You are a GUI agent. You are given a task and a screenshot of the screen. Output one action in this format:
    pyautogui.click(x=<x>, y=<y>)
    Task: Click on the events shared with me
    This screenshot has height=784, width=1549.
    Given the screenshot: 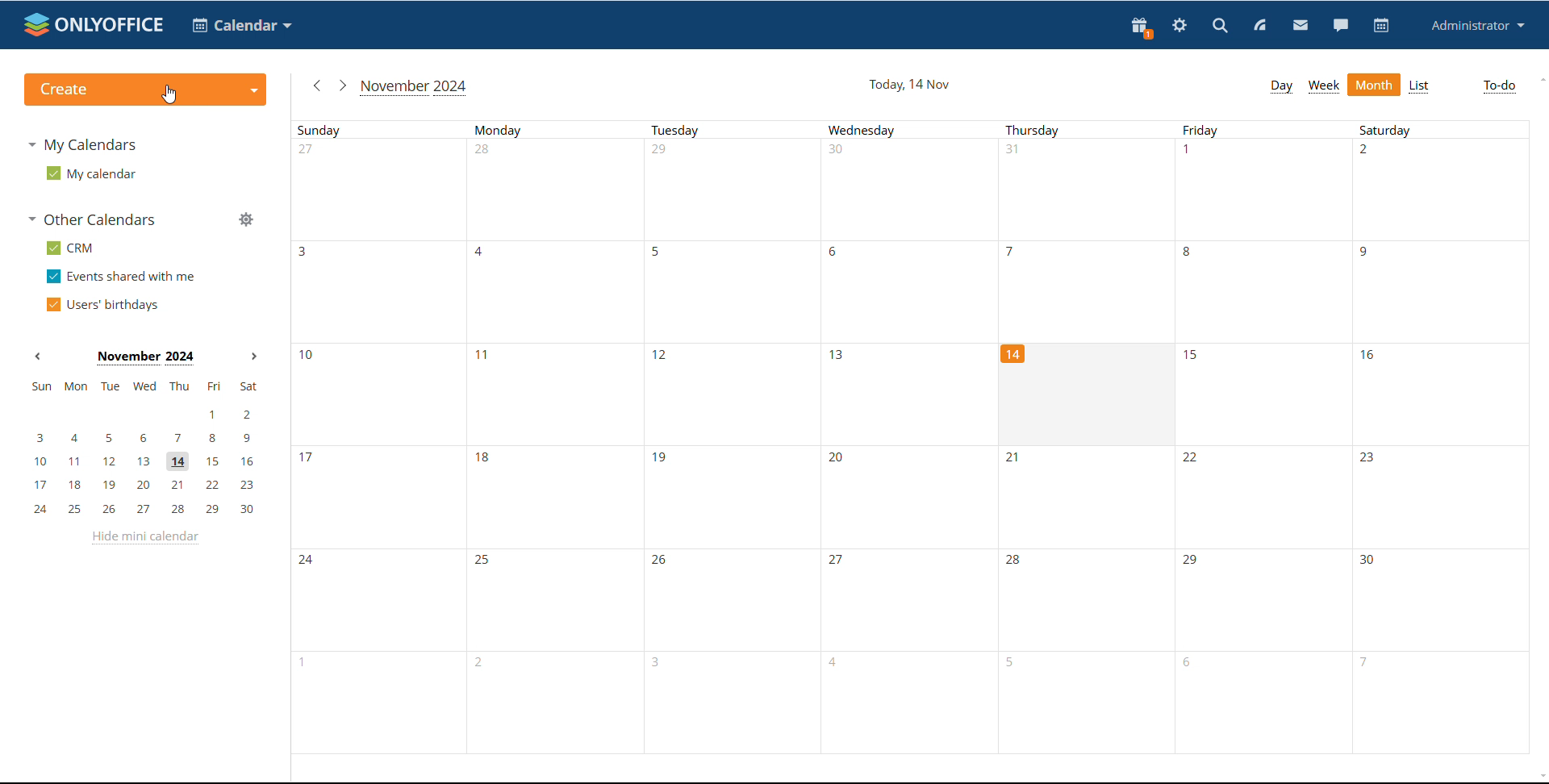 What is the action you would take?
    pyautogui.click(x=123, y=276)
    